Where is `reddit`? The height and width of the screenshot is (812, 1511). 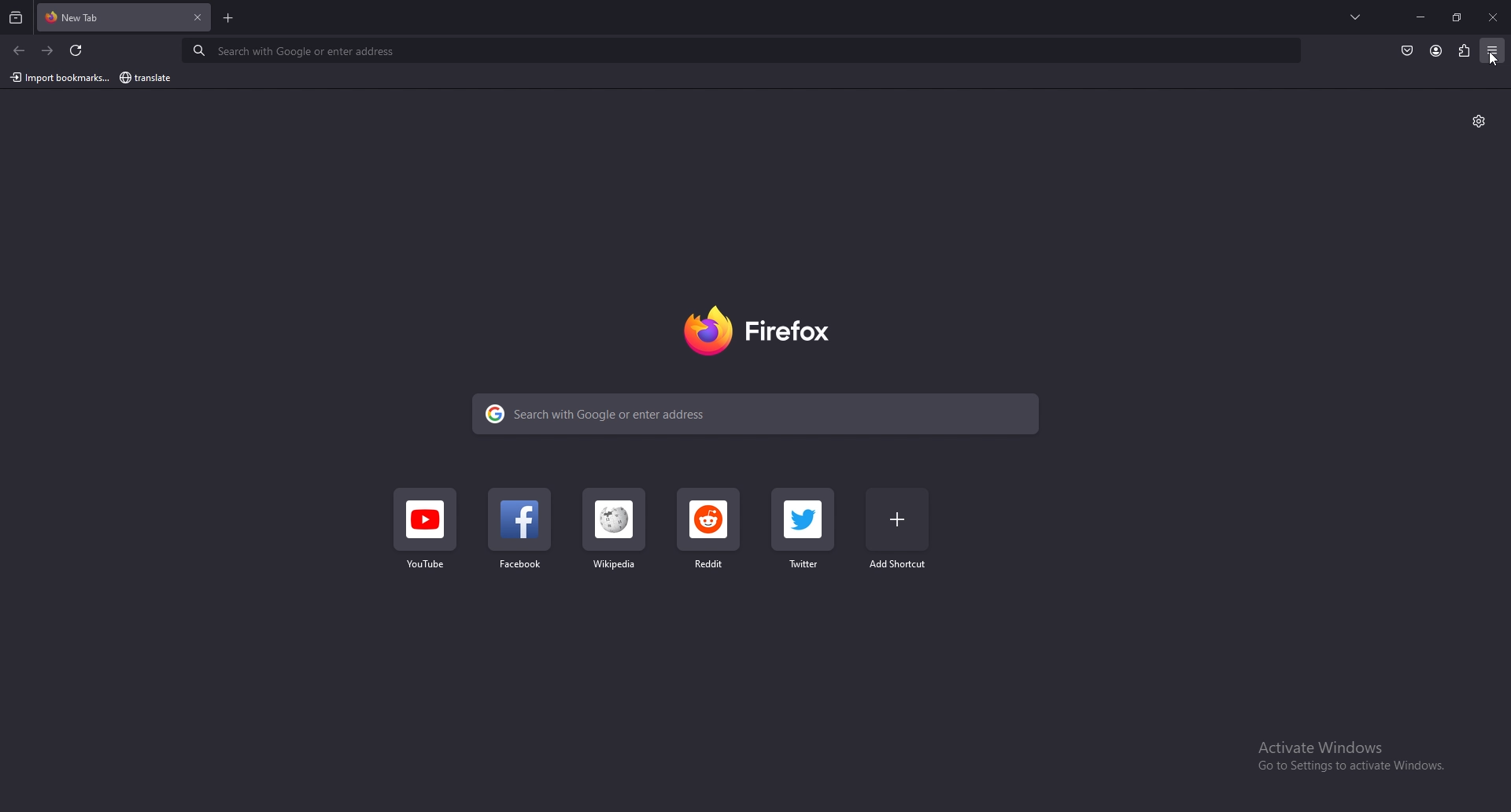 reddit is located at coordinates (709, 531).